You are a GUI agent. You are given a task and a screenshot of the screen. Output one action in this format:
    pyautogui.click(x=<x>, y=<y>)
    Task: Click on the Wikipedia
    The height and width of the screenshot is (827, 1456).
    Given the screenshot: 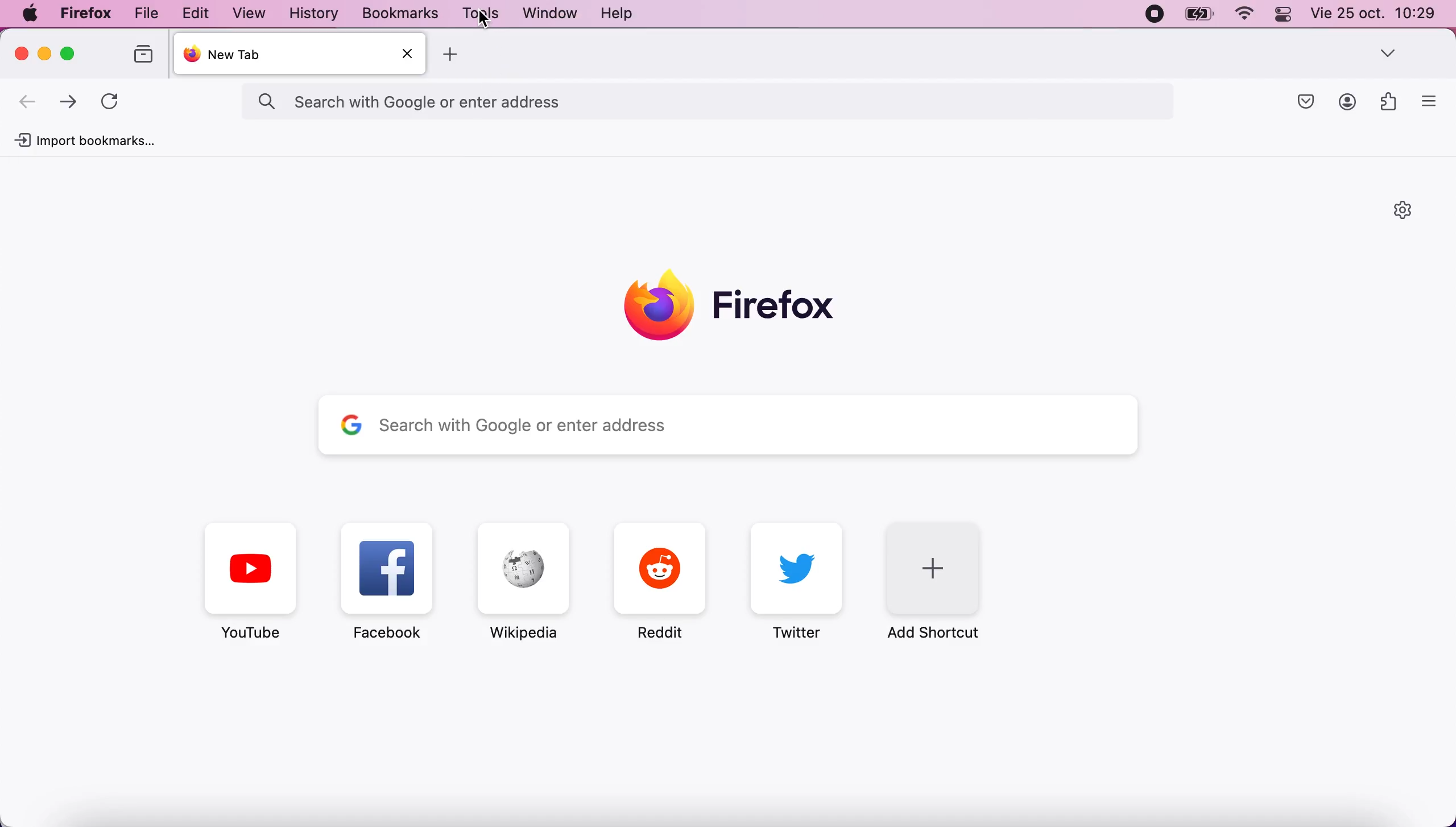 What is the action you would take?
    pyautogui.click(x=523, y=581)
    